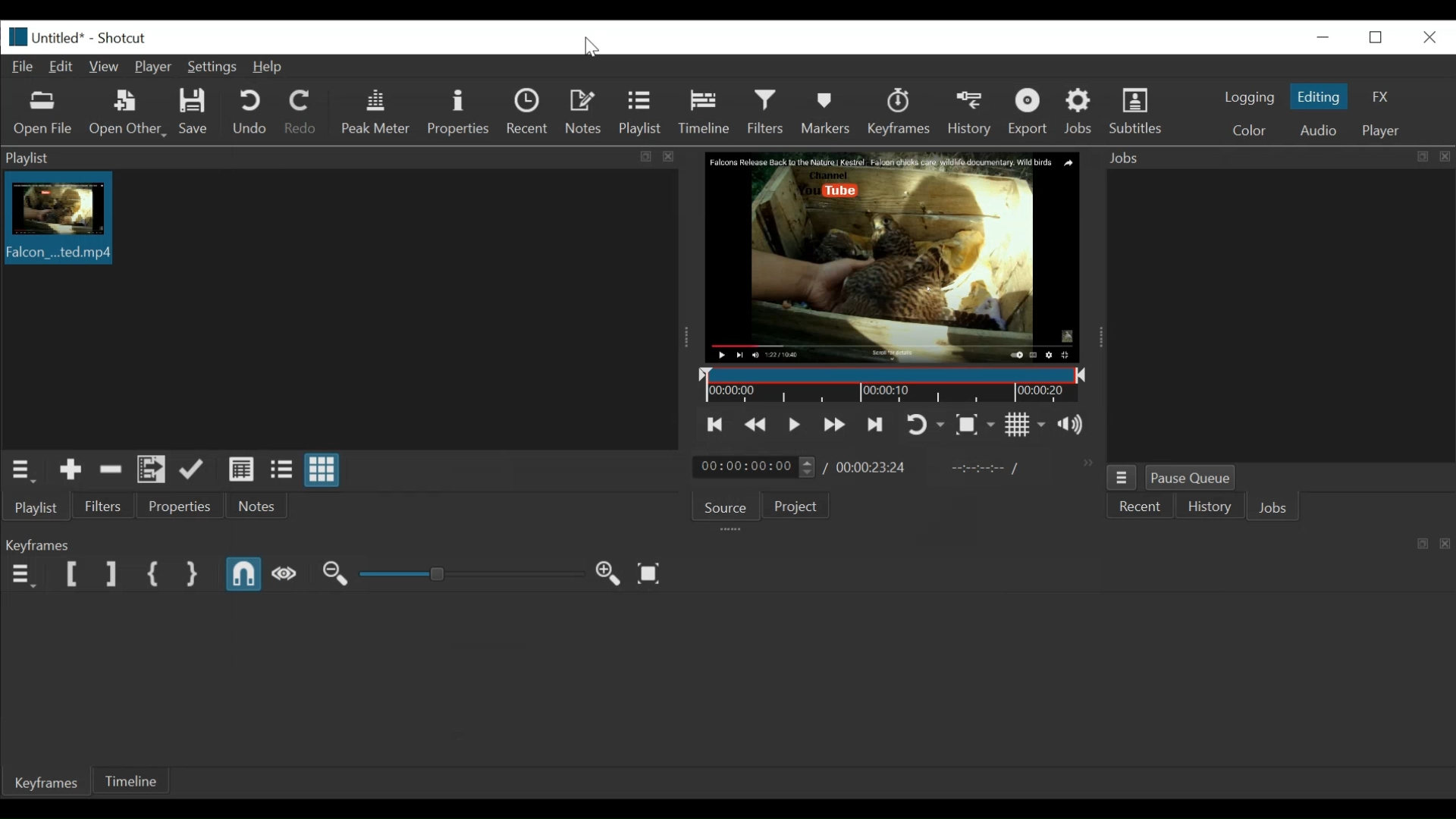  I want to click on Source, so click(722, 506).